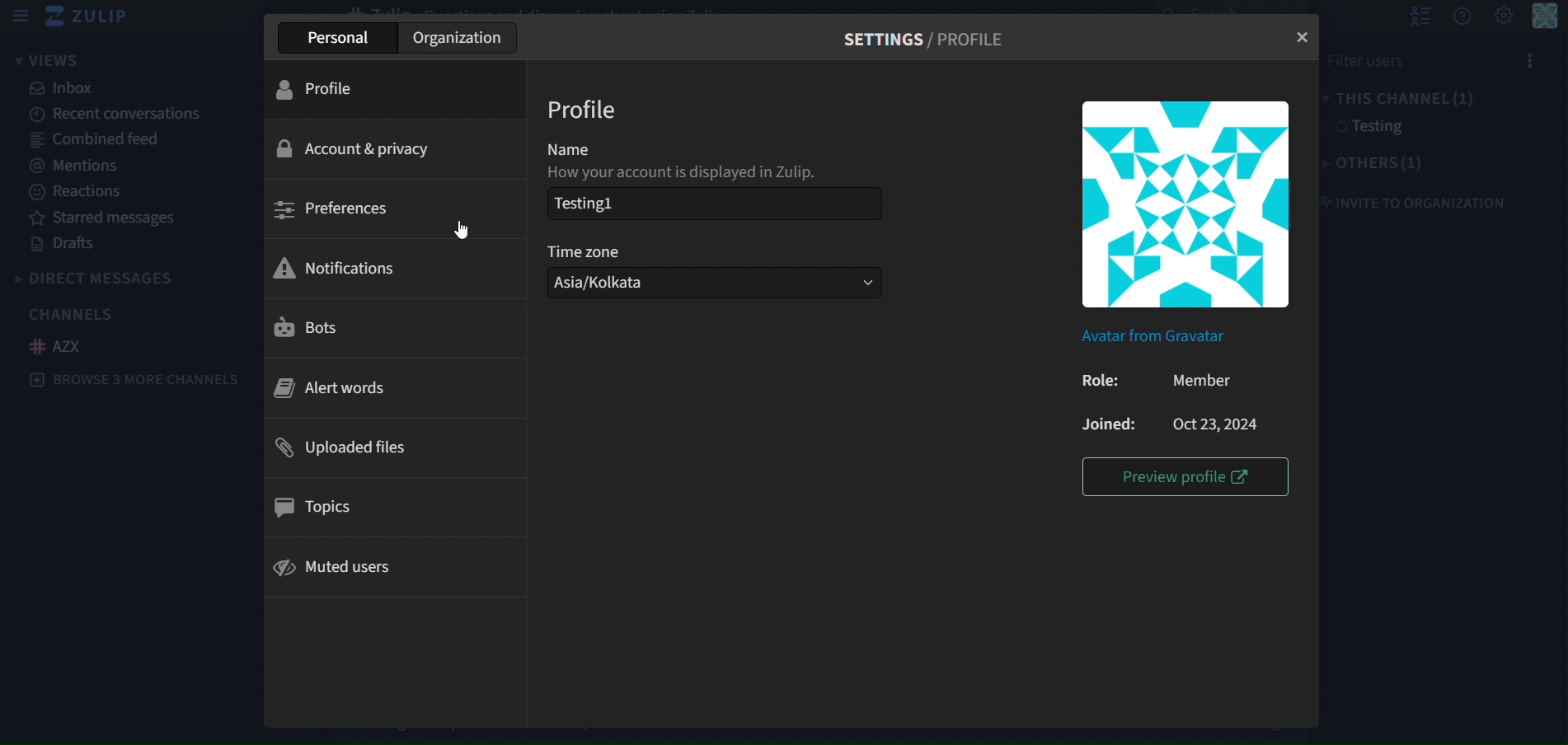 This screenshot has width=1568, height=745. I want to click on alert words, so click(336, 387).